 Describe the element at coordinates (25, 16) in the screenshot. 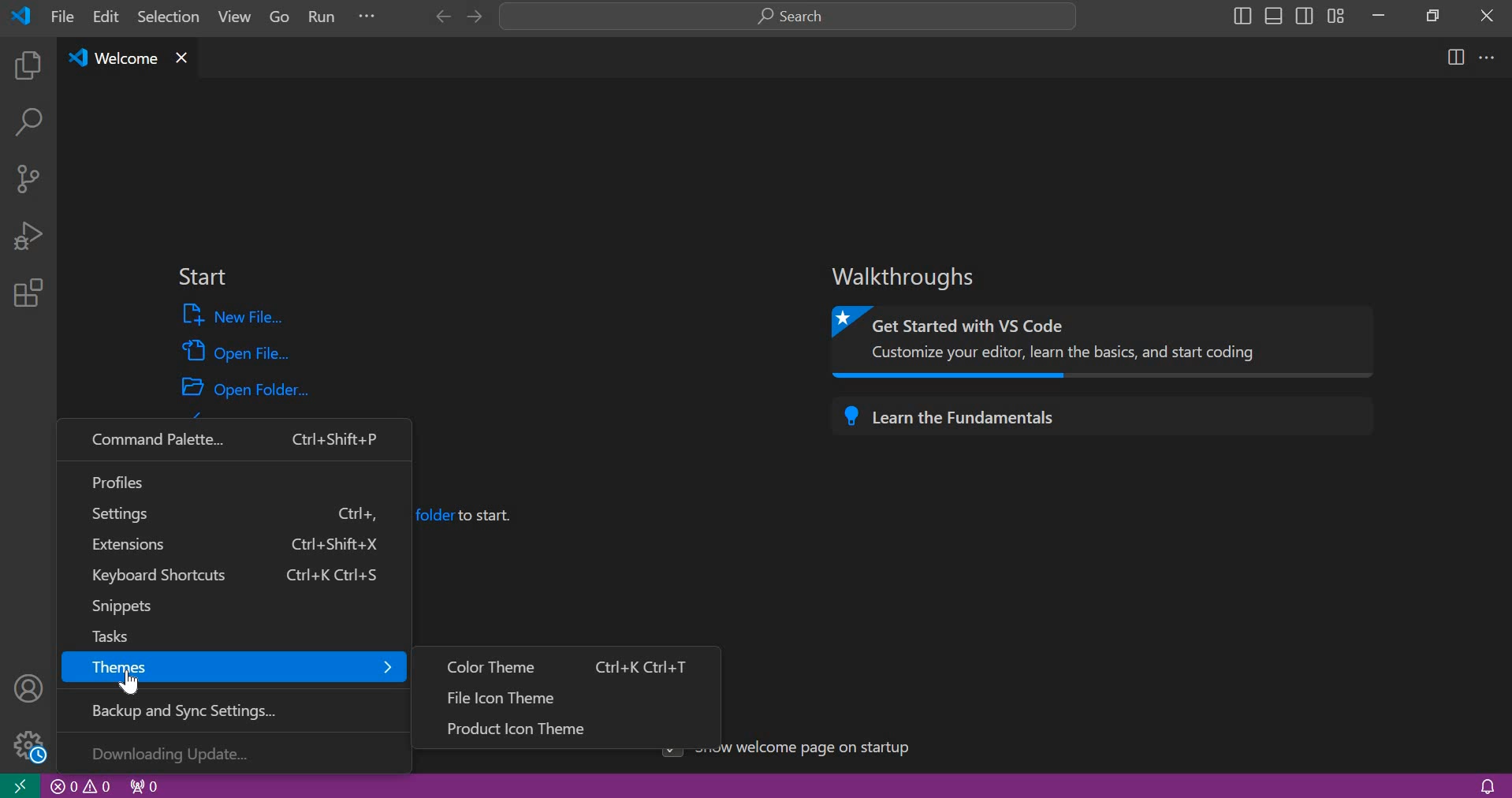

I see `vscode system` at that location.